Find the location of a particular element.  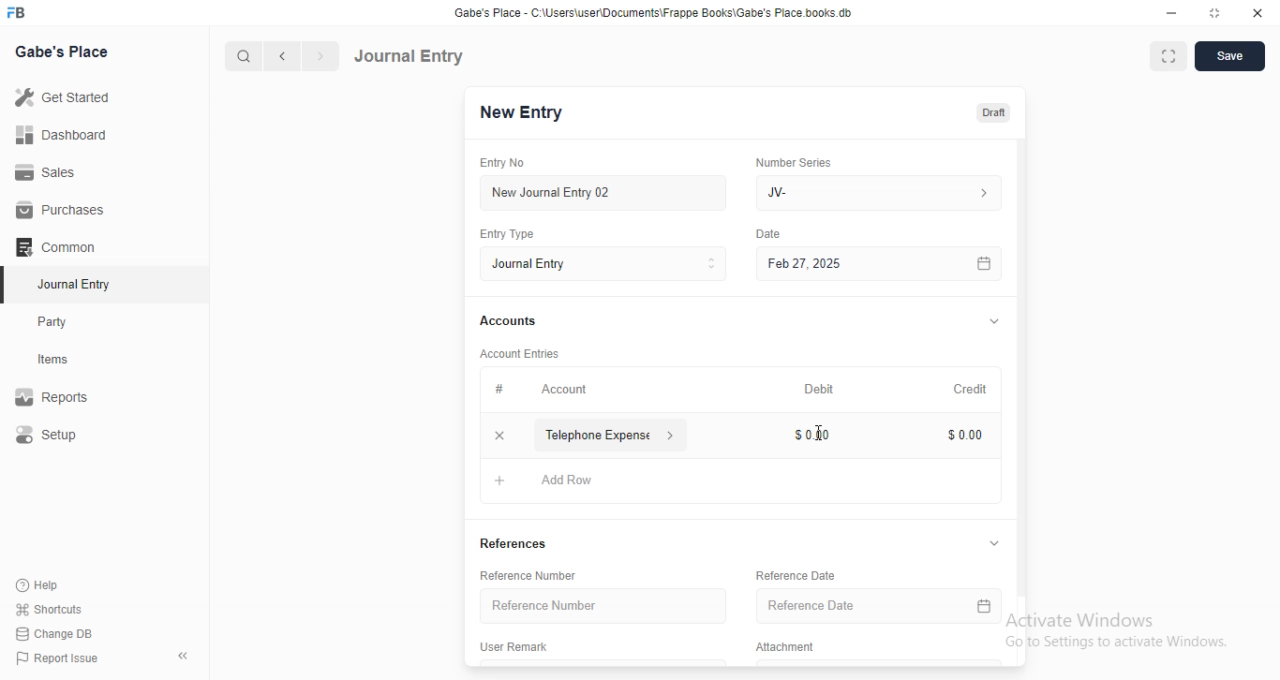

0.00 is located at coordinates (958, 436).